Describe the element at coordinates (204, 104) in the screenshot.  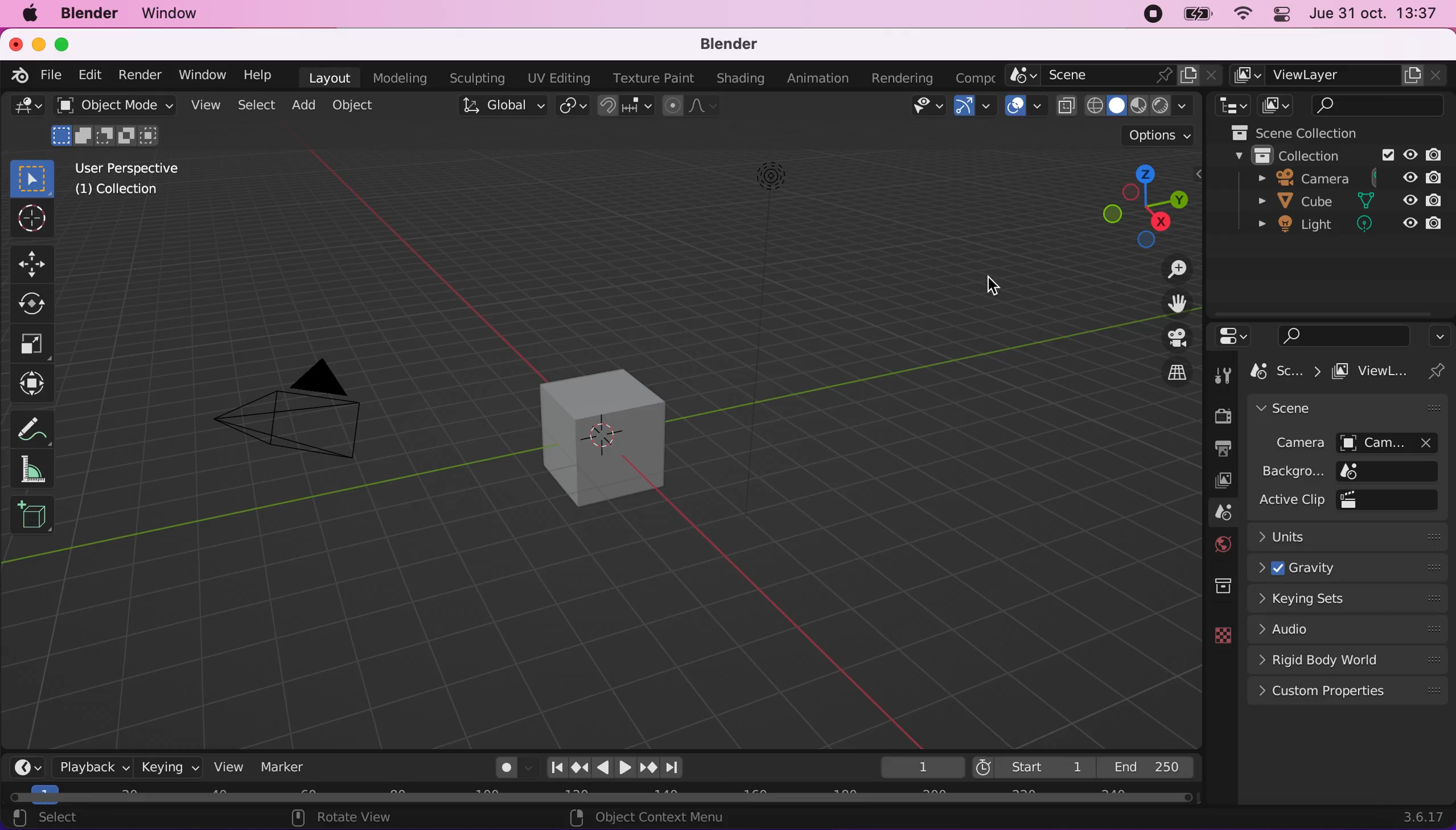
I see `view` at that location.